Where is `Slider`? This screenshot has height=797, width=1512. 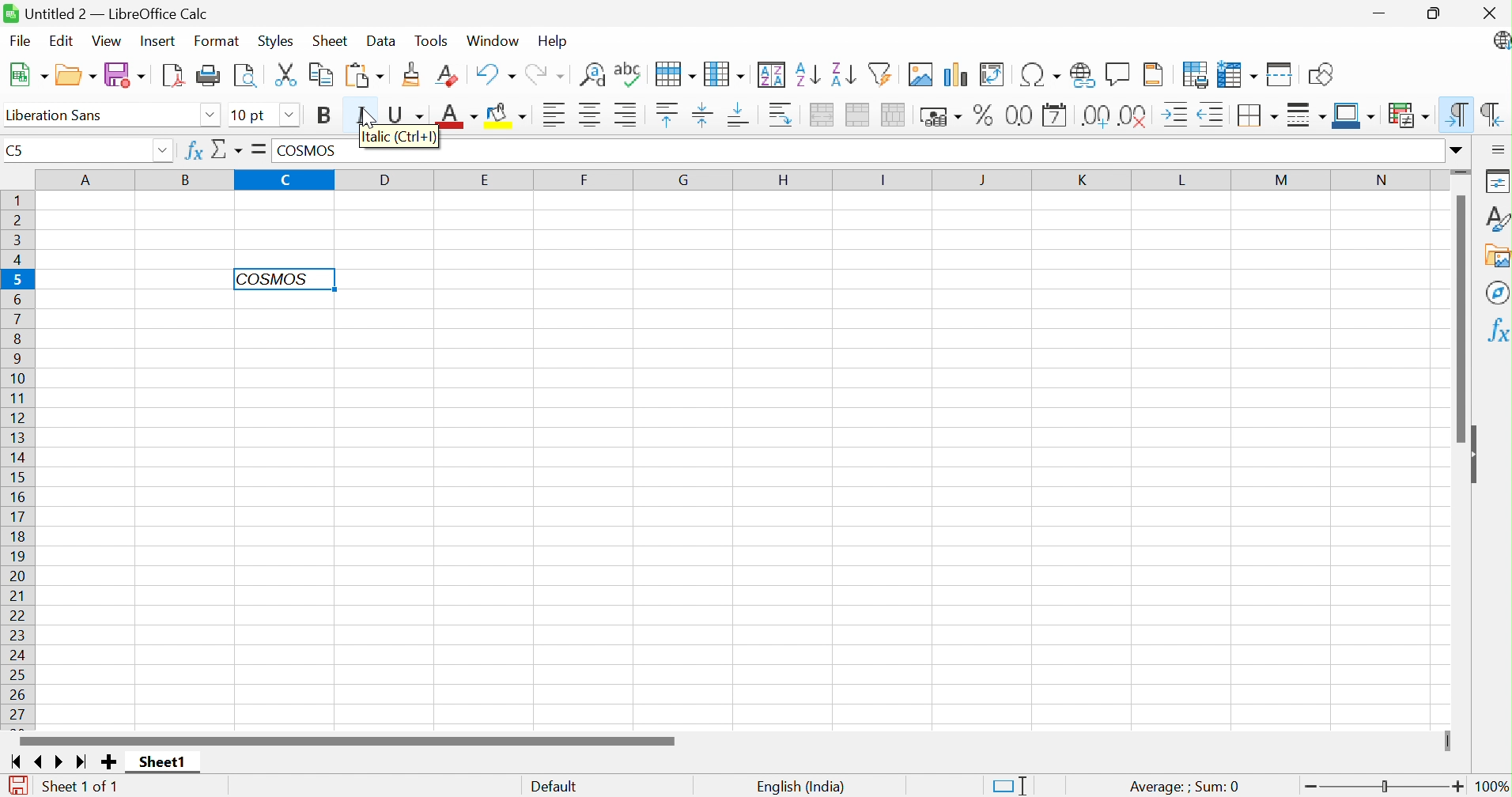 Slider is located at coordinates (1386, 787).